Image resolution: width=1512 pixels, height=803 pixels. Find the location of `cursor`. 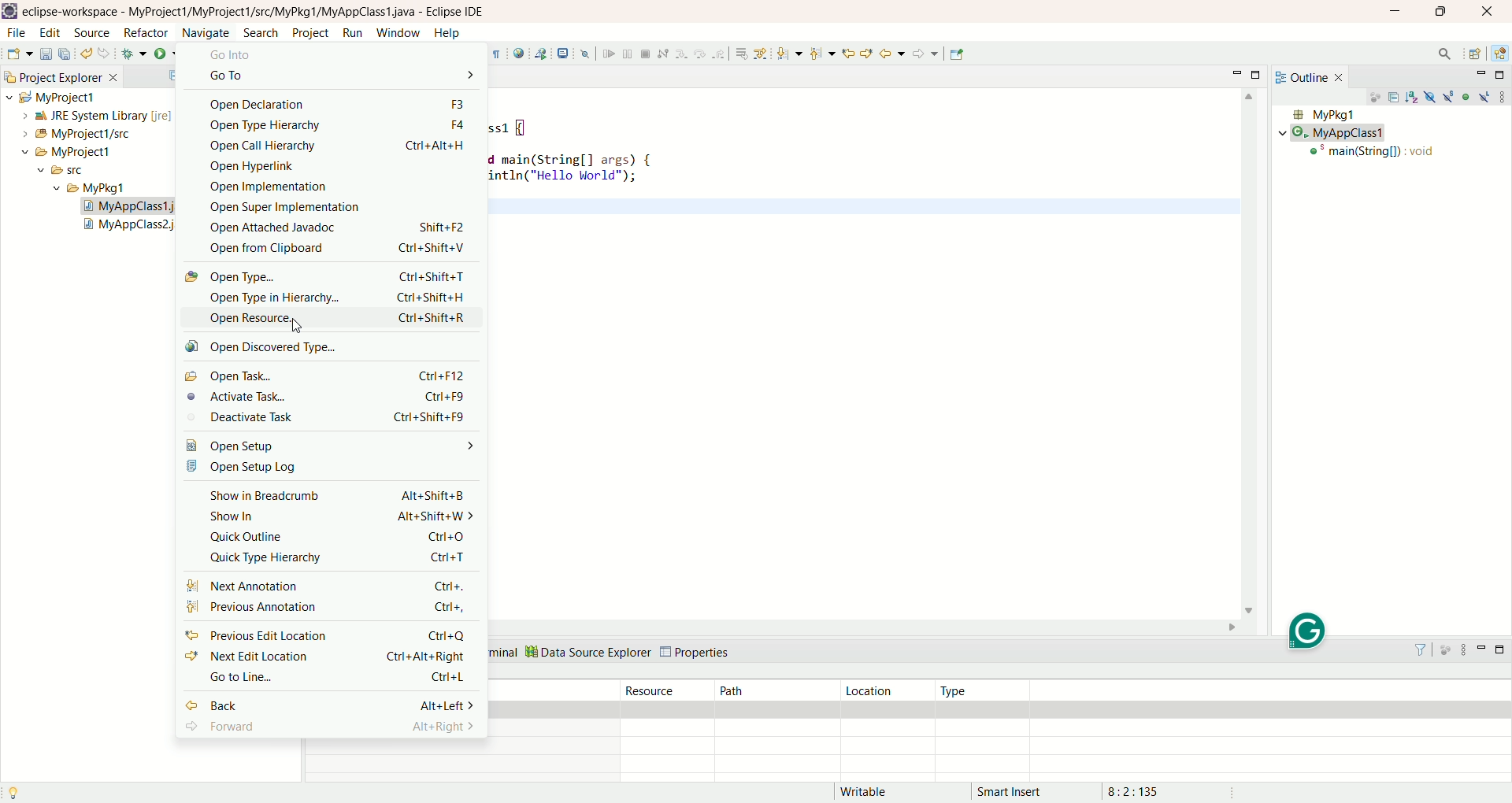

cursor is located at coordinates (292, 327).